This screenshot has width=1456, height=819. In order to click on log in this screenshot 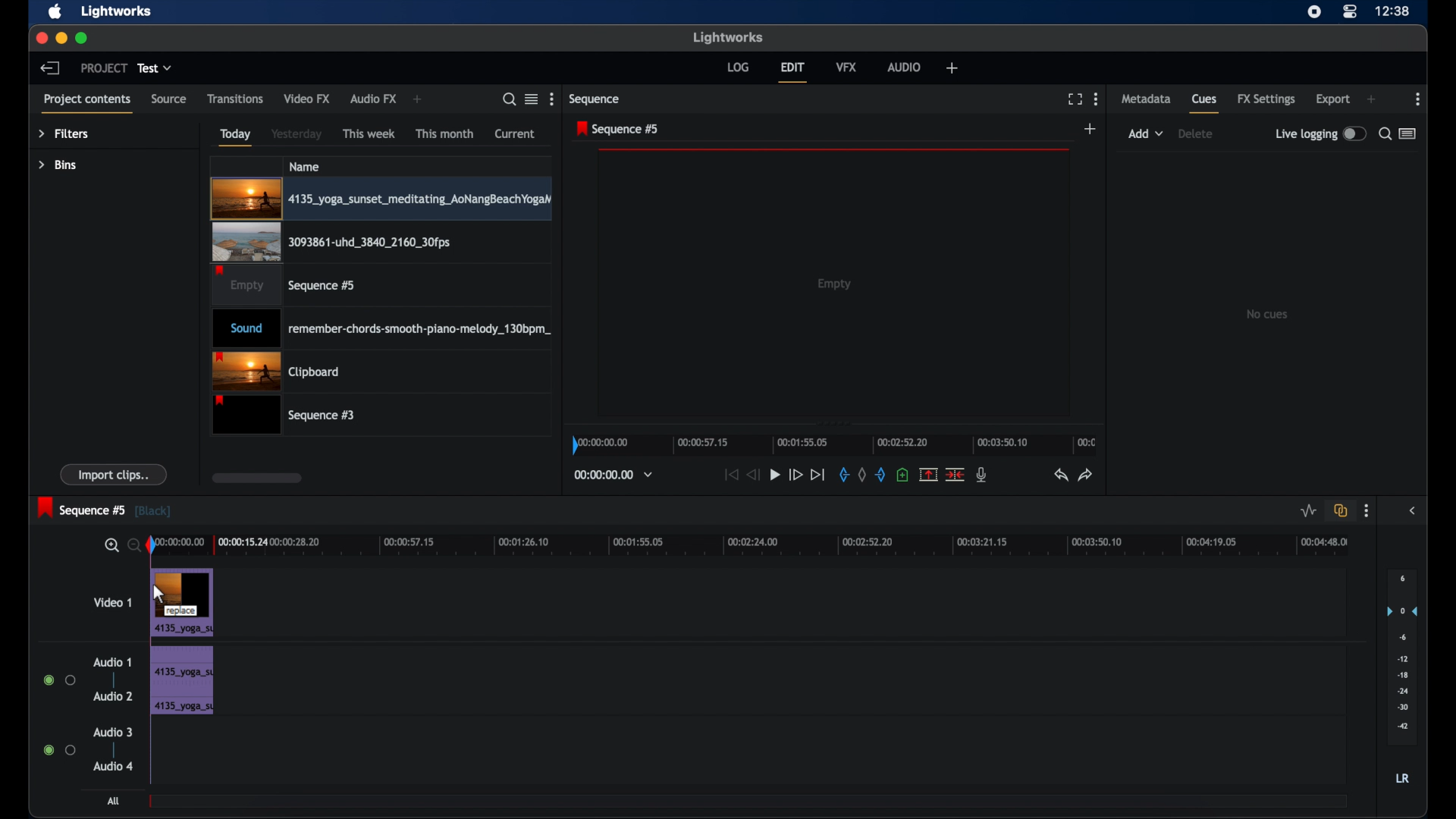, I will do `click(738, 67)`.